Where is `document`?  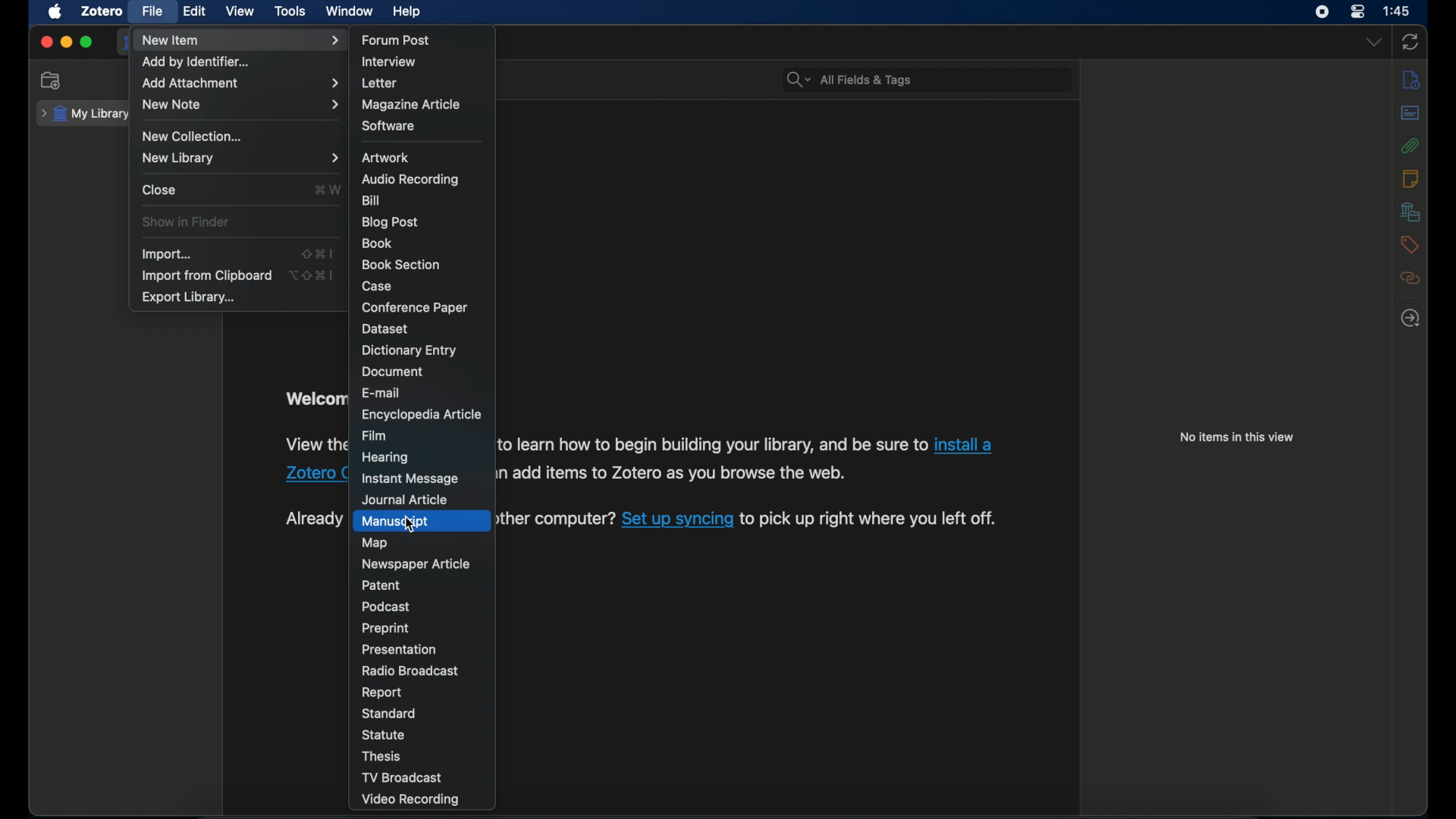 document is located at coordinates (391, 371).